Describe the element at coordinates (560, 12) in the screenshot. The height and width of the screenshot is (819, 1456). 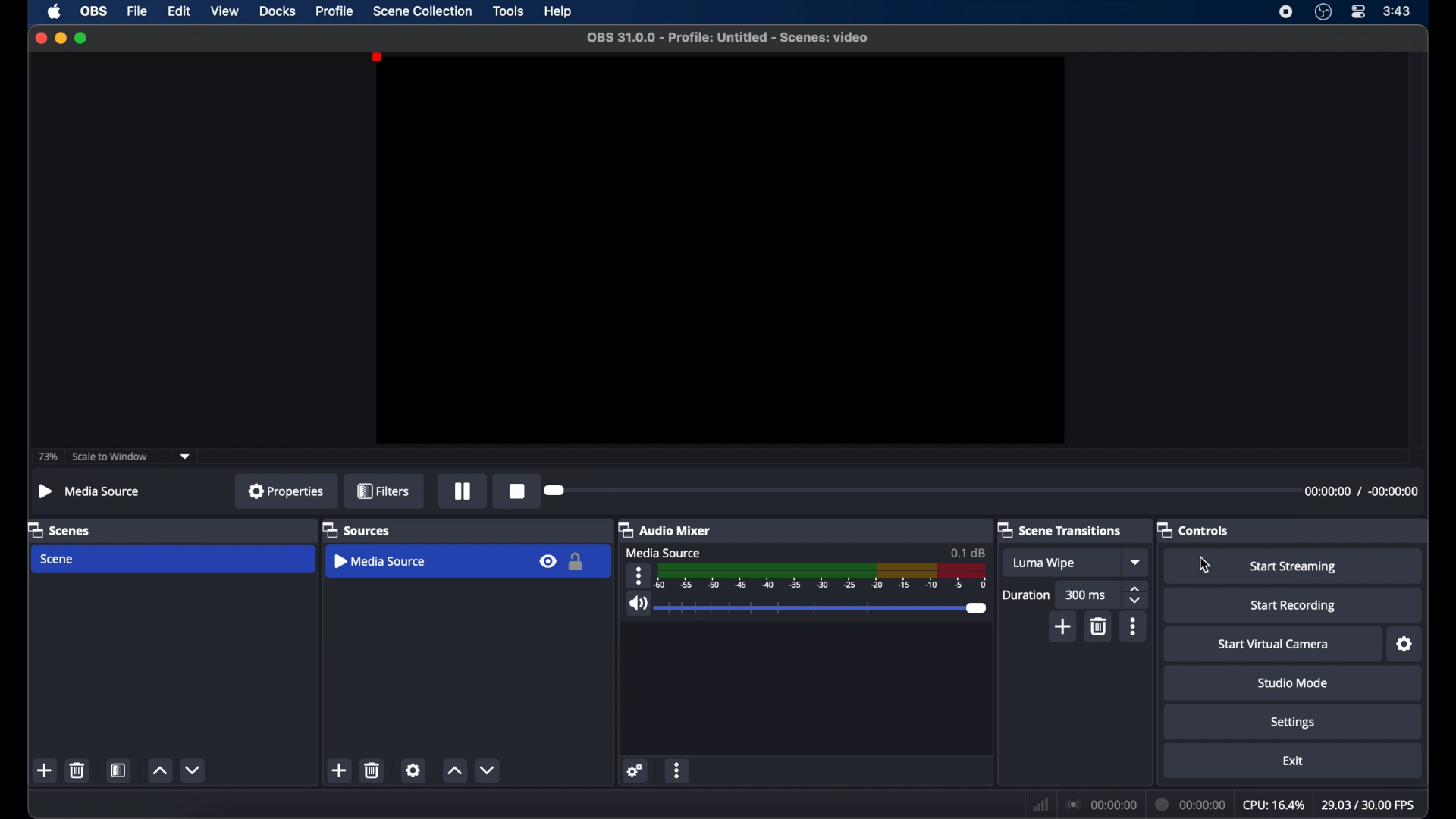
I see `help` at that location.